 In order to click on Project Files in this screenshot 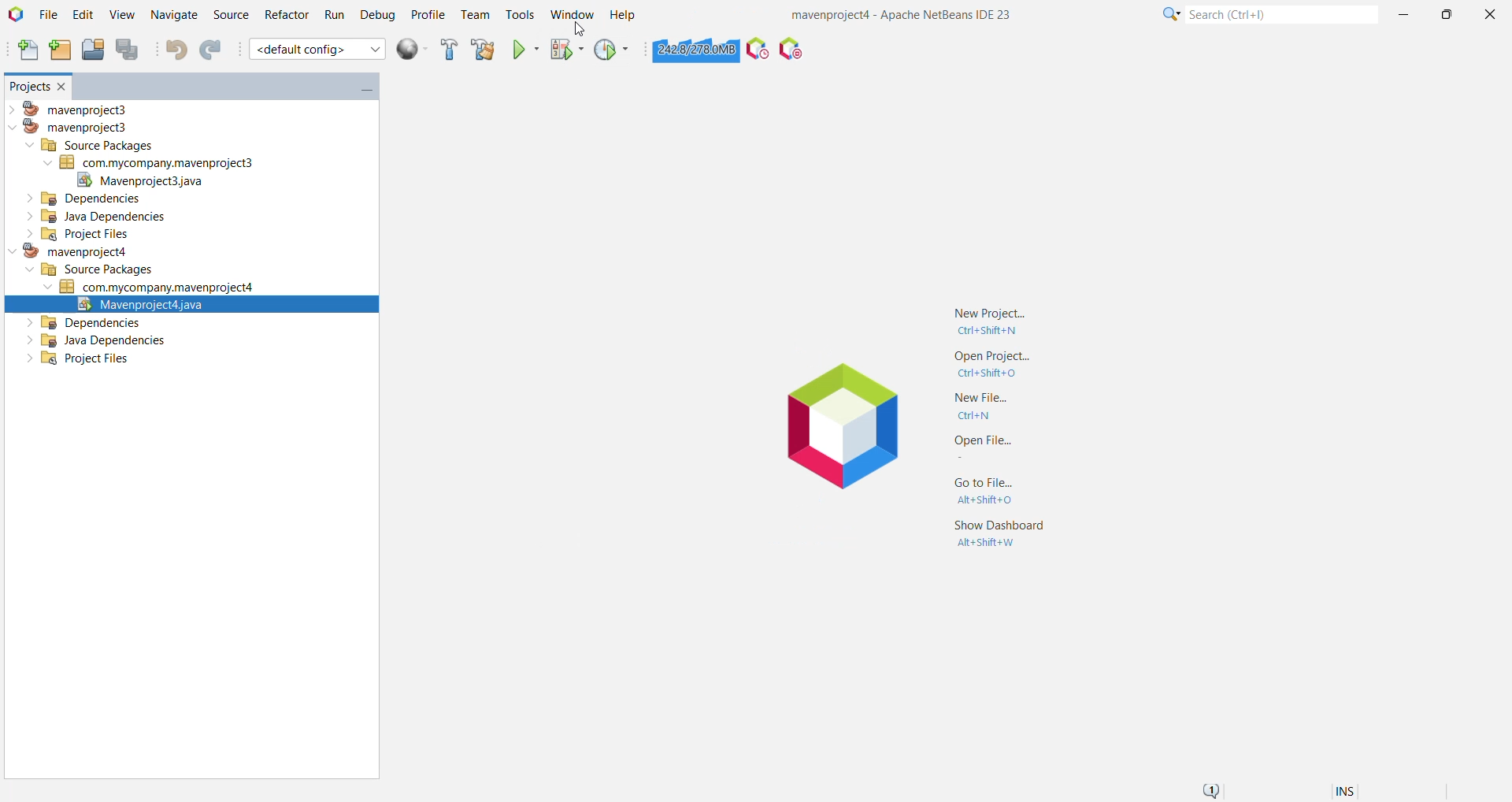, I will do `click(72, 235)`.